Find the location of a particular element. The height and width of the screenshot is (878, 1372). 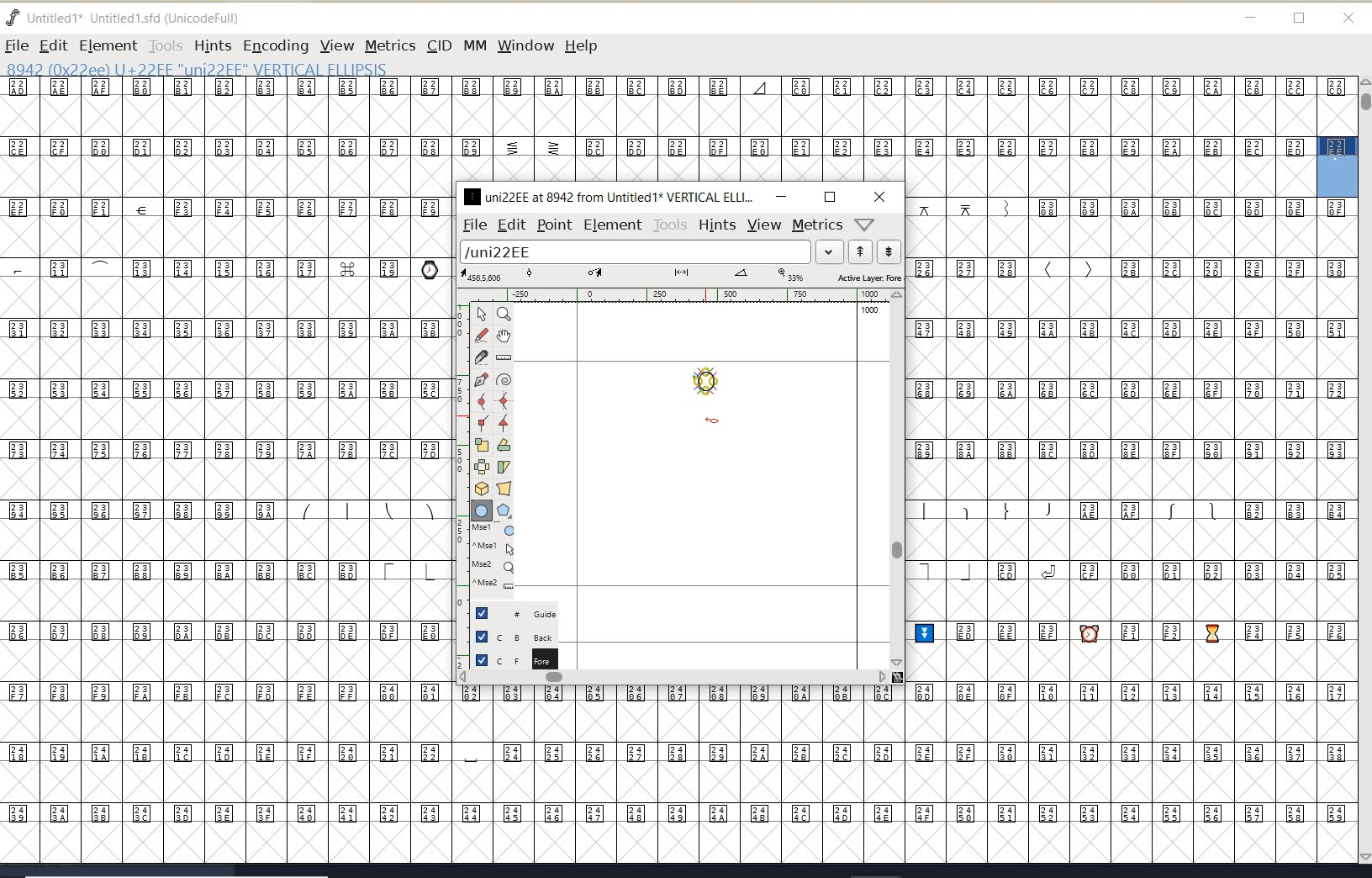

METRICS is located at coordinates (390, 45).